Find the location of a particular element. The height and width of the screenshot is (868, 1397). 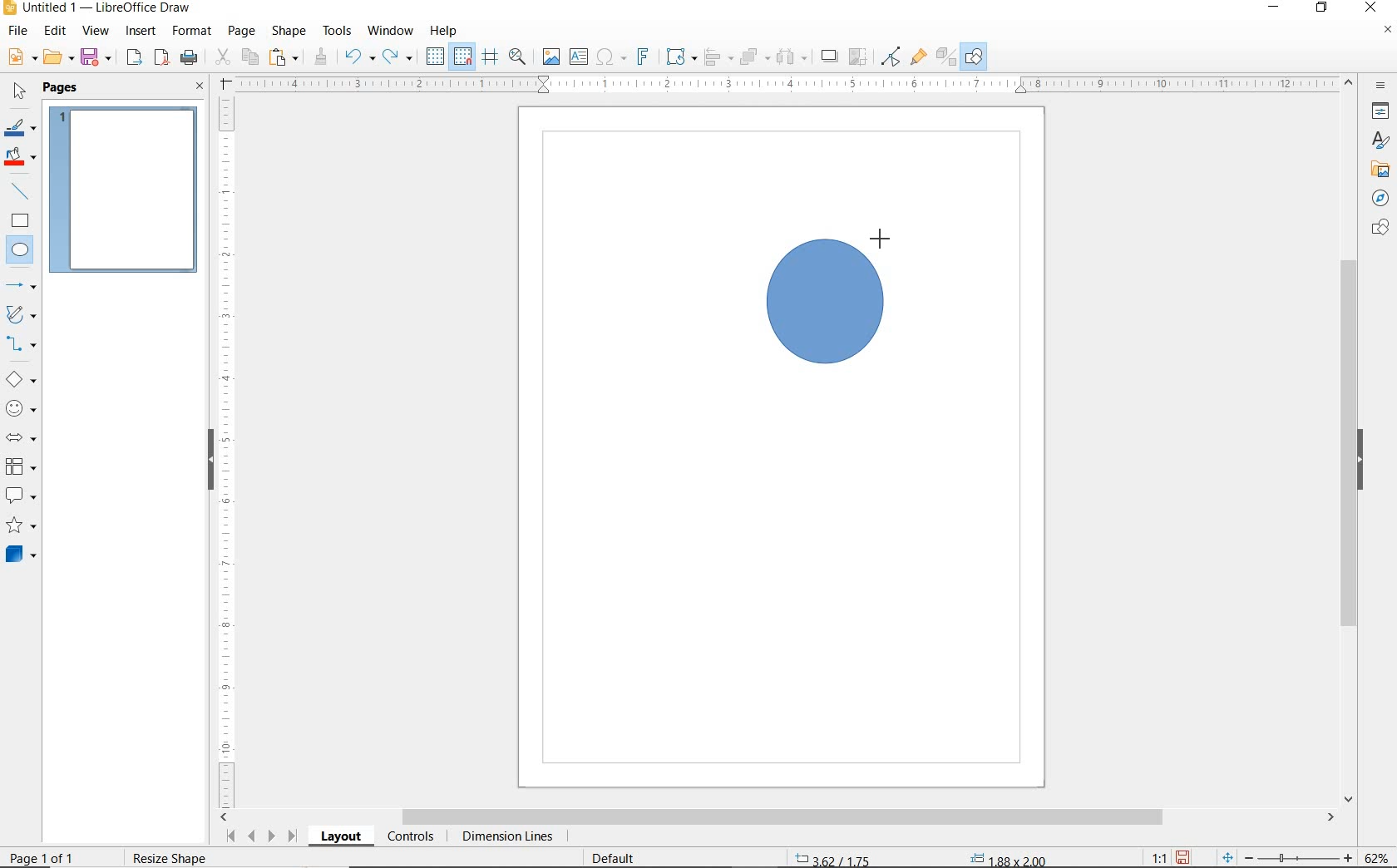

EXPORT is located at coordinates (135, 58).